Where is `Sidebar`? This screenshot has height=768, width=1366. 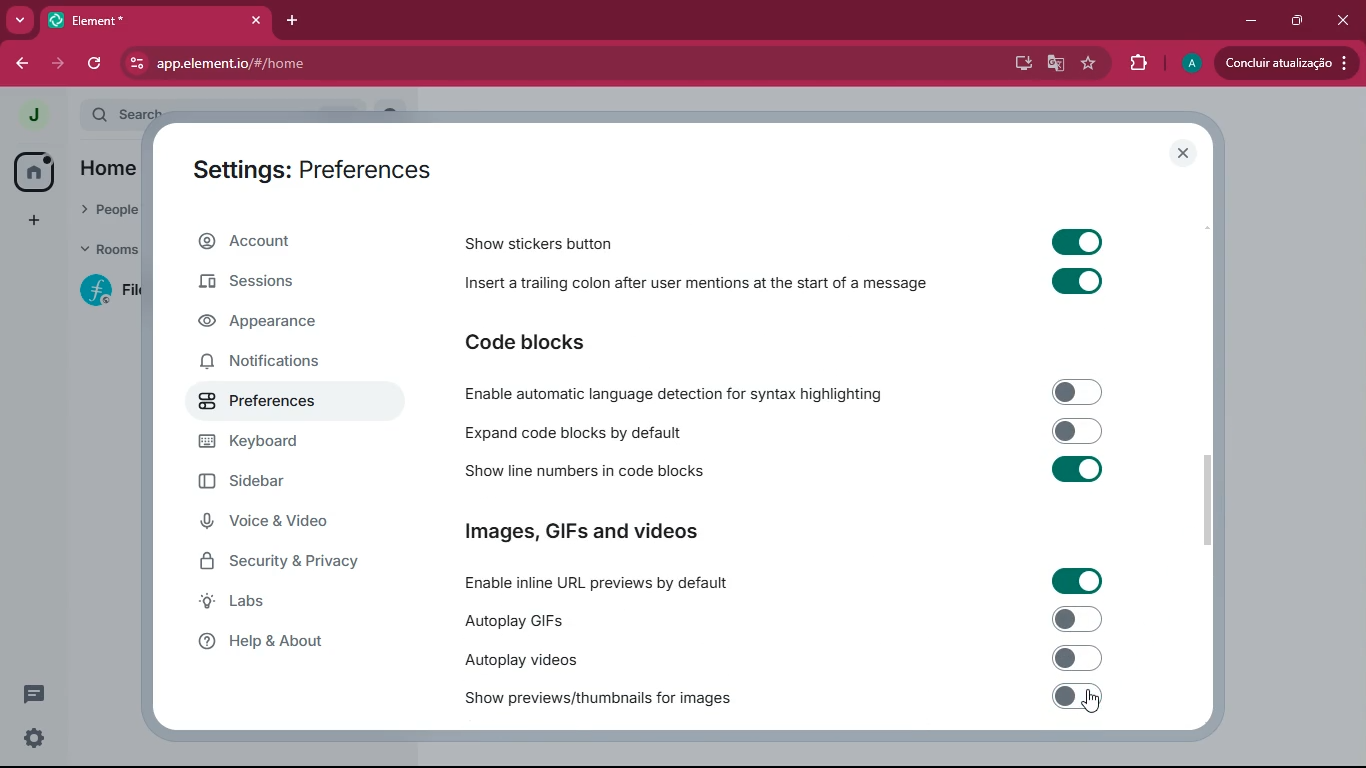 Sidebar is located at coordinates (254, 480).